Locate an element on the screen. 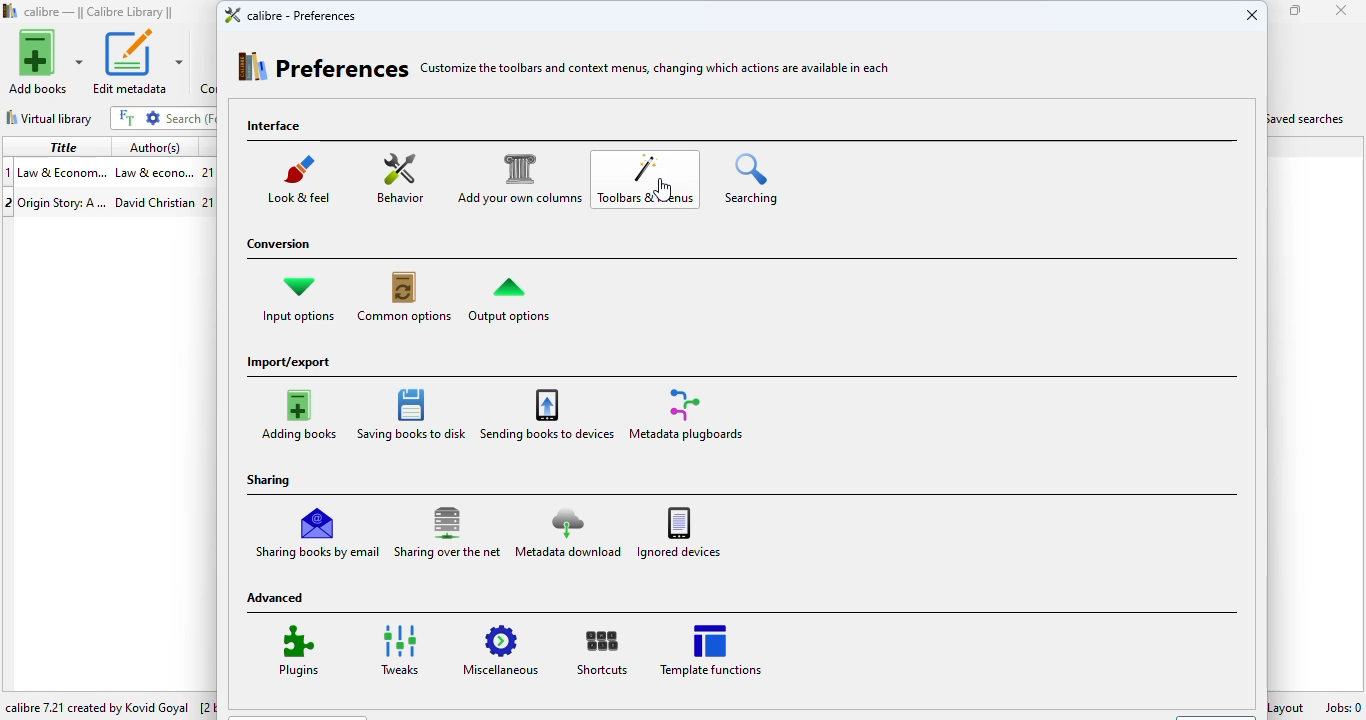 The width and height of the screenshot is (1366, 720). output options is located at coordinates (509, 297).